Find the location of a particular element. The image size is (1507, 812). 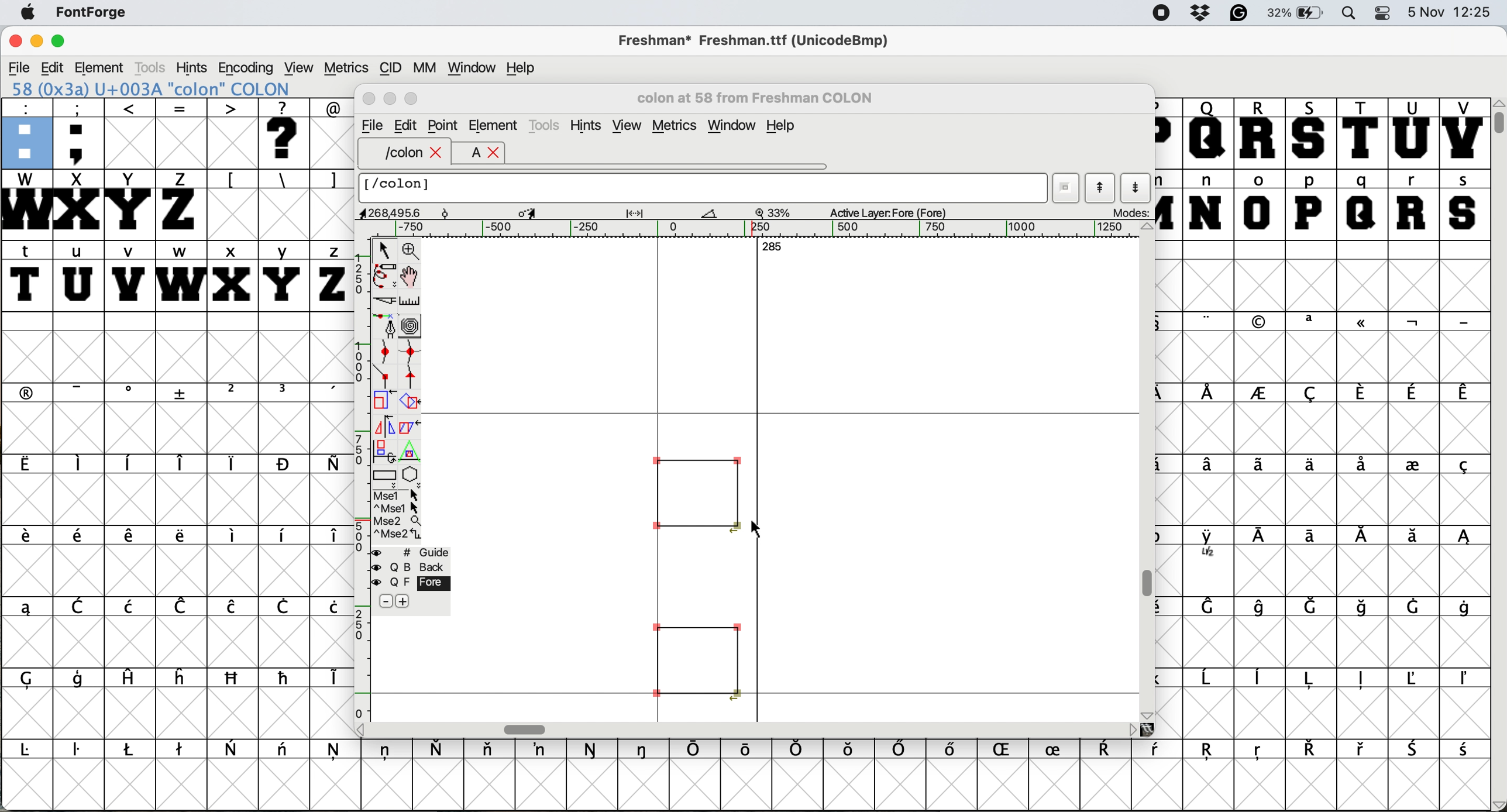

^Mse2 is located at coordinates (398, 534).